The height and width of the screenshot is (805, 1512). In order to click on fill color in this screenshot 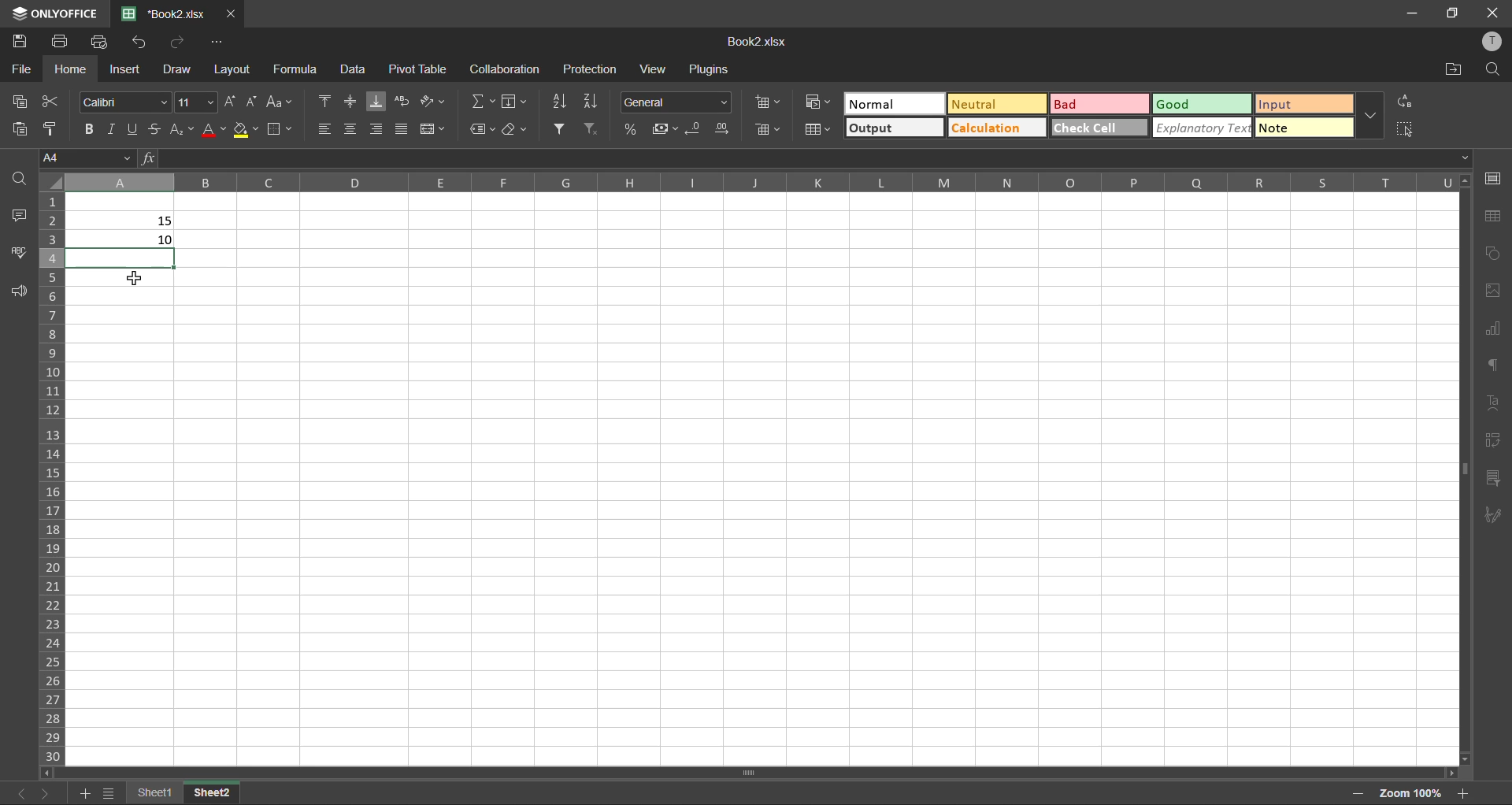, I will do `click(245, 129)`.